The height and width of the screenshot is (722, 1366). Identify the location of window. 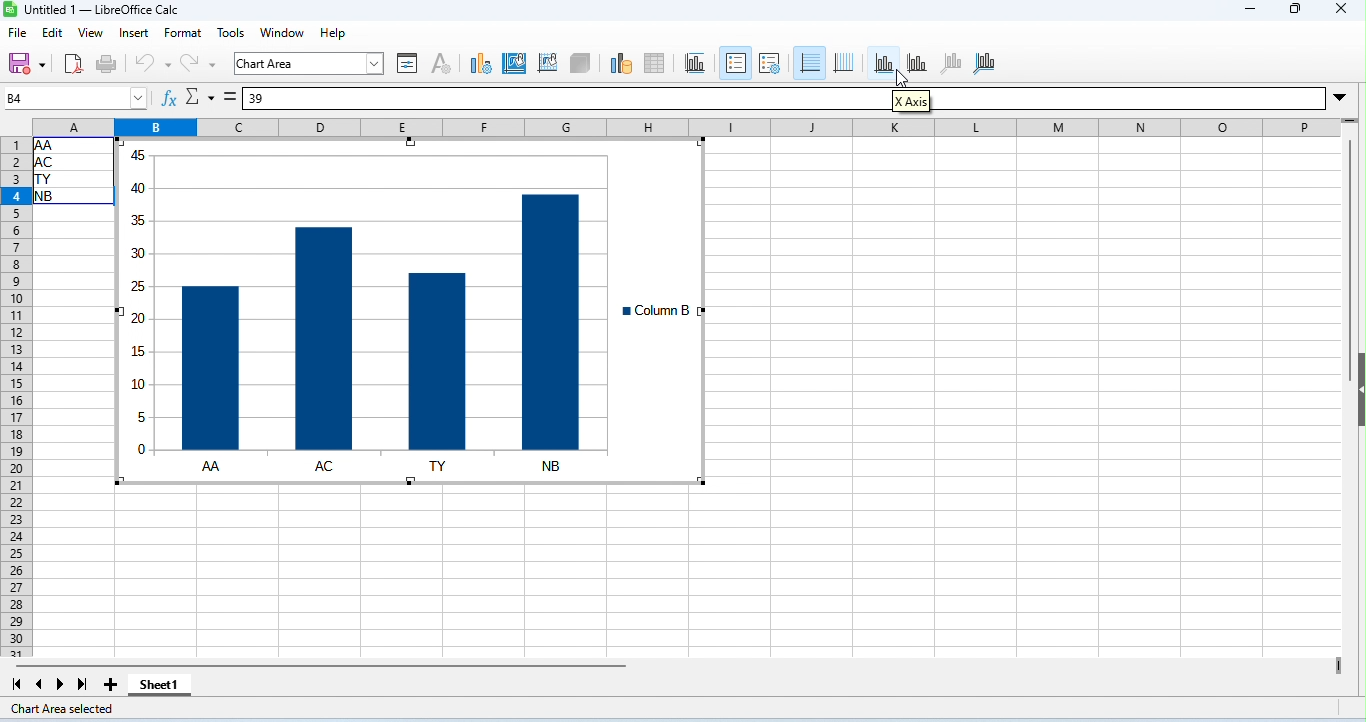
(283, 32).